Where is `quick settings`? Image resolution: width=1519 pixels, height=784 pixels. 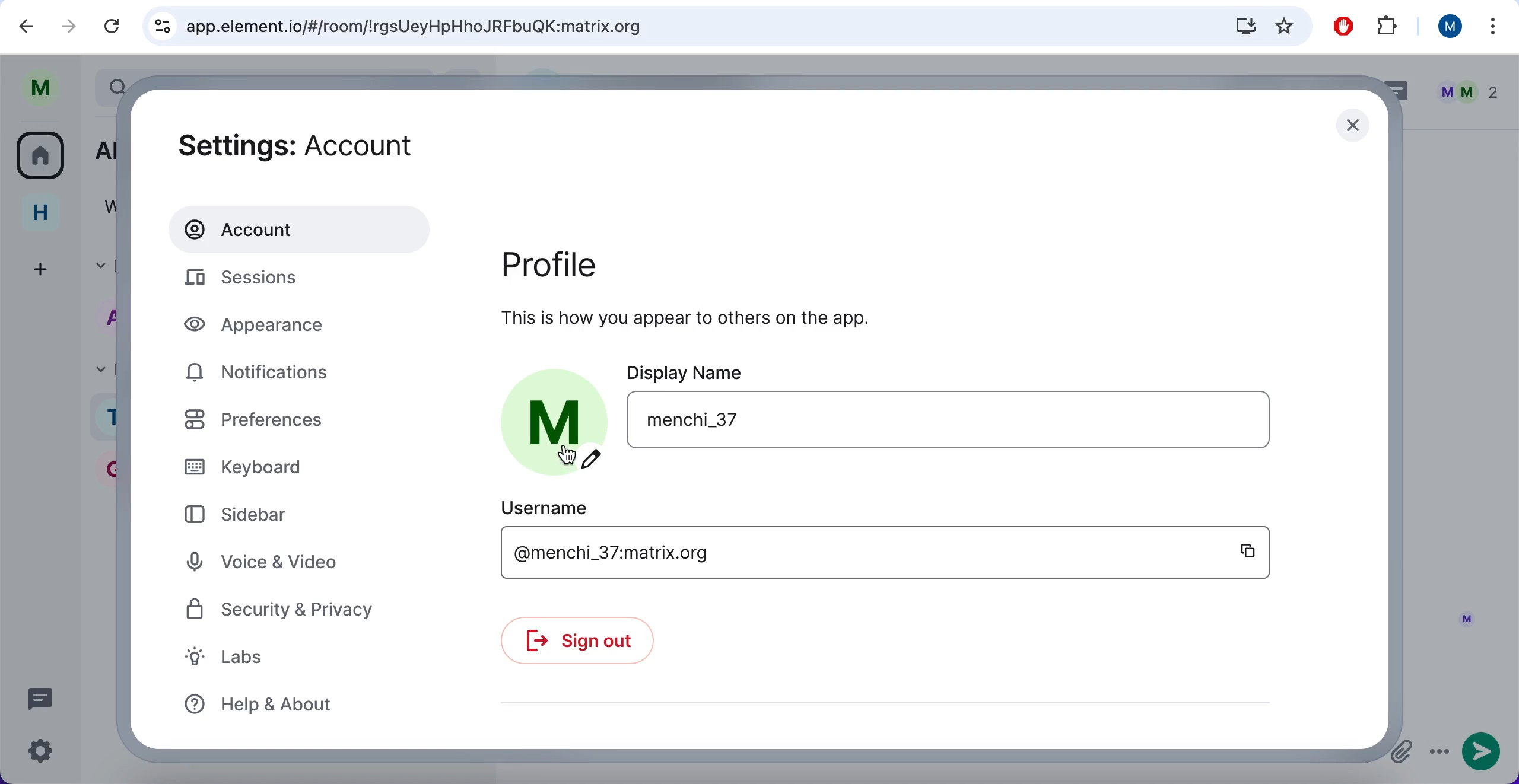 quick settings is located at coordinates (42, 751).